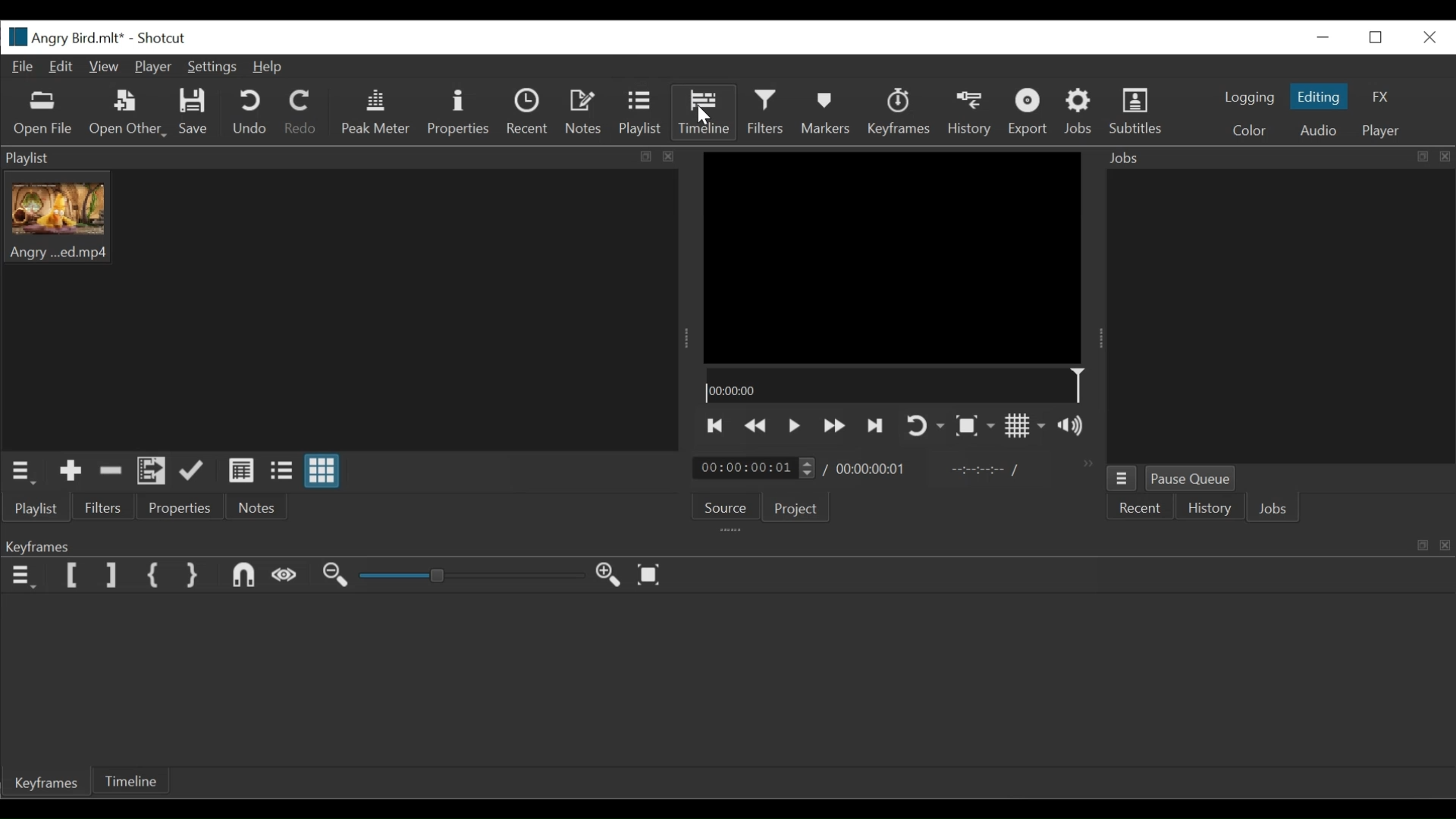 The width and height of the screenshot is (1456, 819). What do you see at coordinates (153, 576) in the screenshot?
I see `Set First Simple Keyframe` at bounding box center [153, 576].